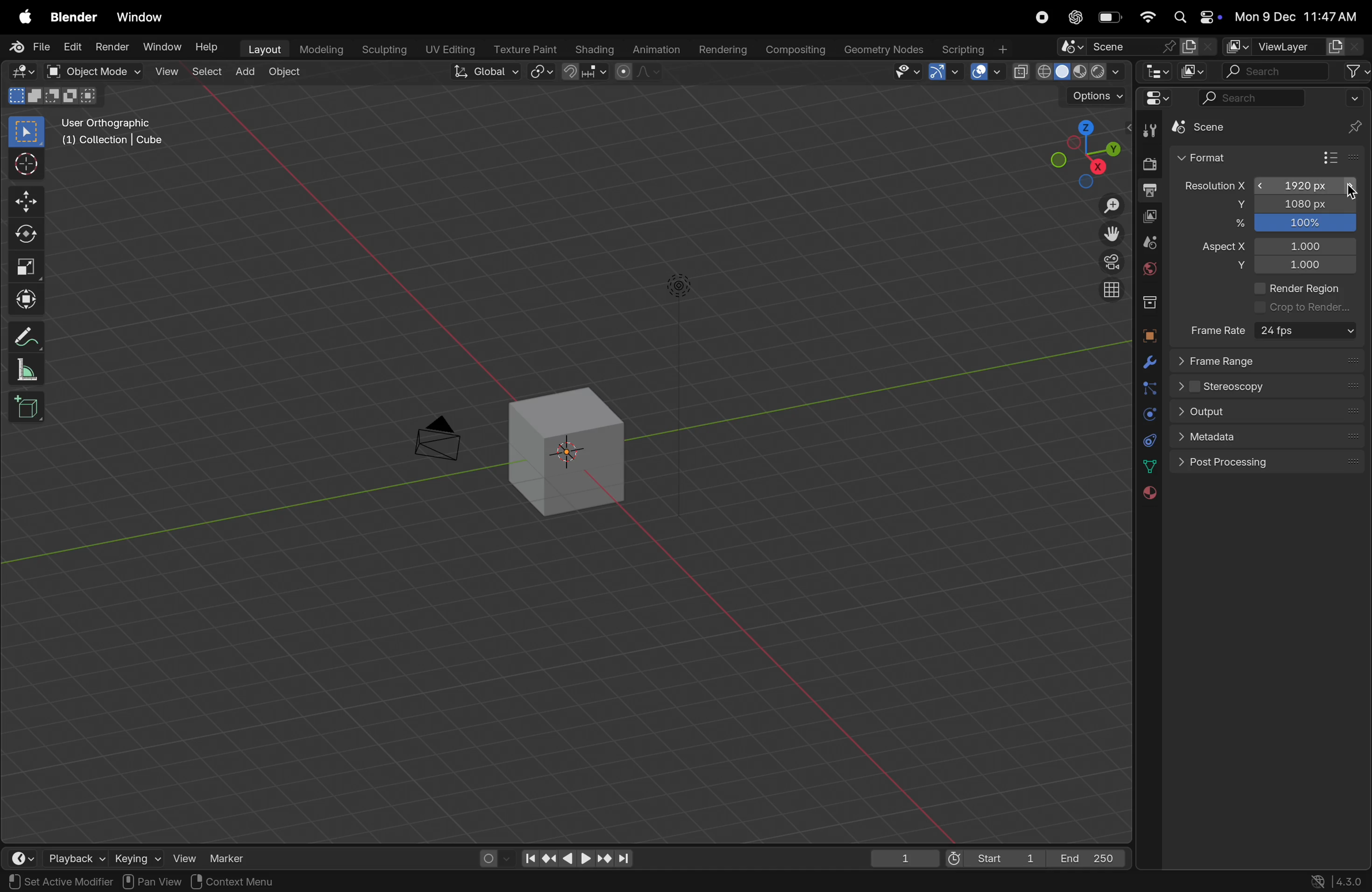 Image resolution: width=1372 pixels, height=892 pixels. Describe the element at coordinates (1305, 224) in the screenshot. I see `100%` at that location.